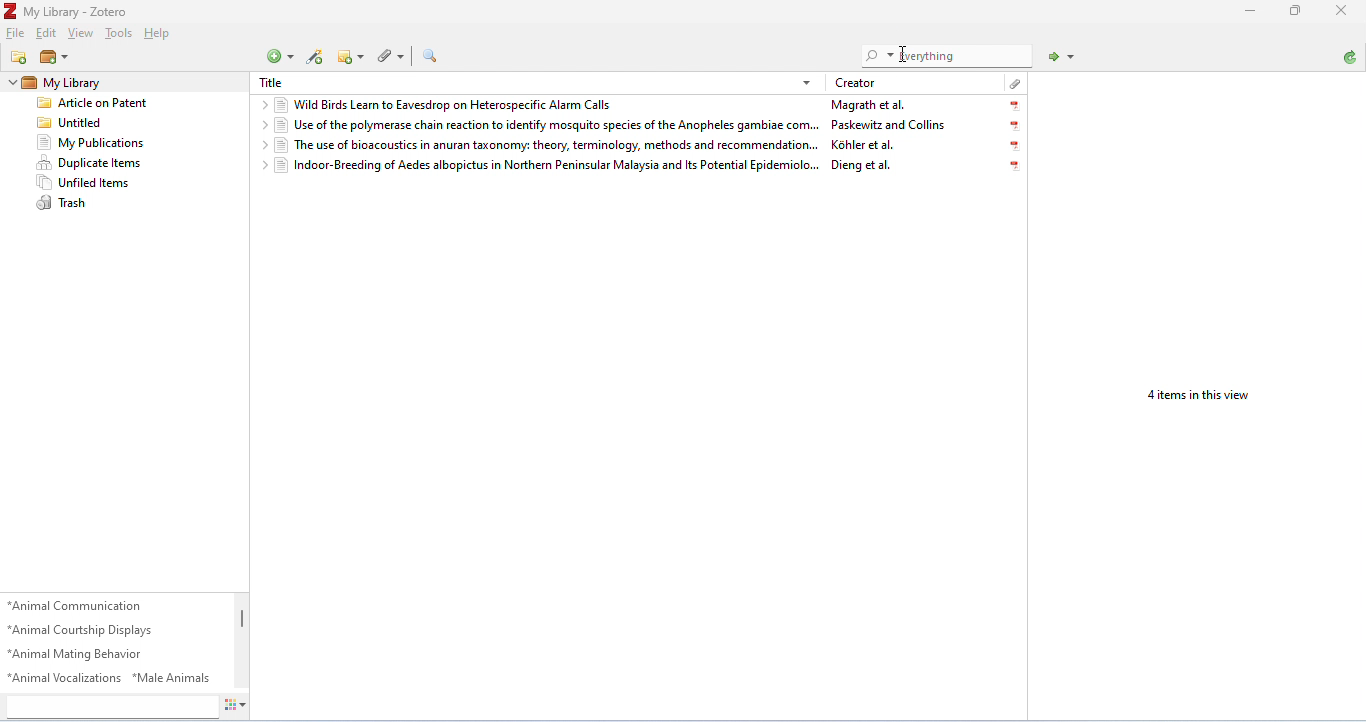 The width and height of the screenshot is (1366, 722). Describe the element at coordinates (86, 630) in the screenshot. I see `“Animal Courtship Displays` at that location.